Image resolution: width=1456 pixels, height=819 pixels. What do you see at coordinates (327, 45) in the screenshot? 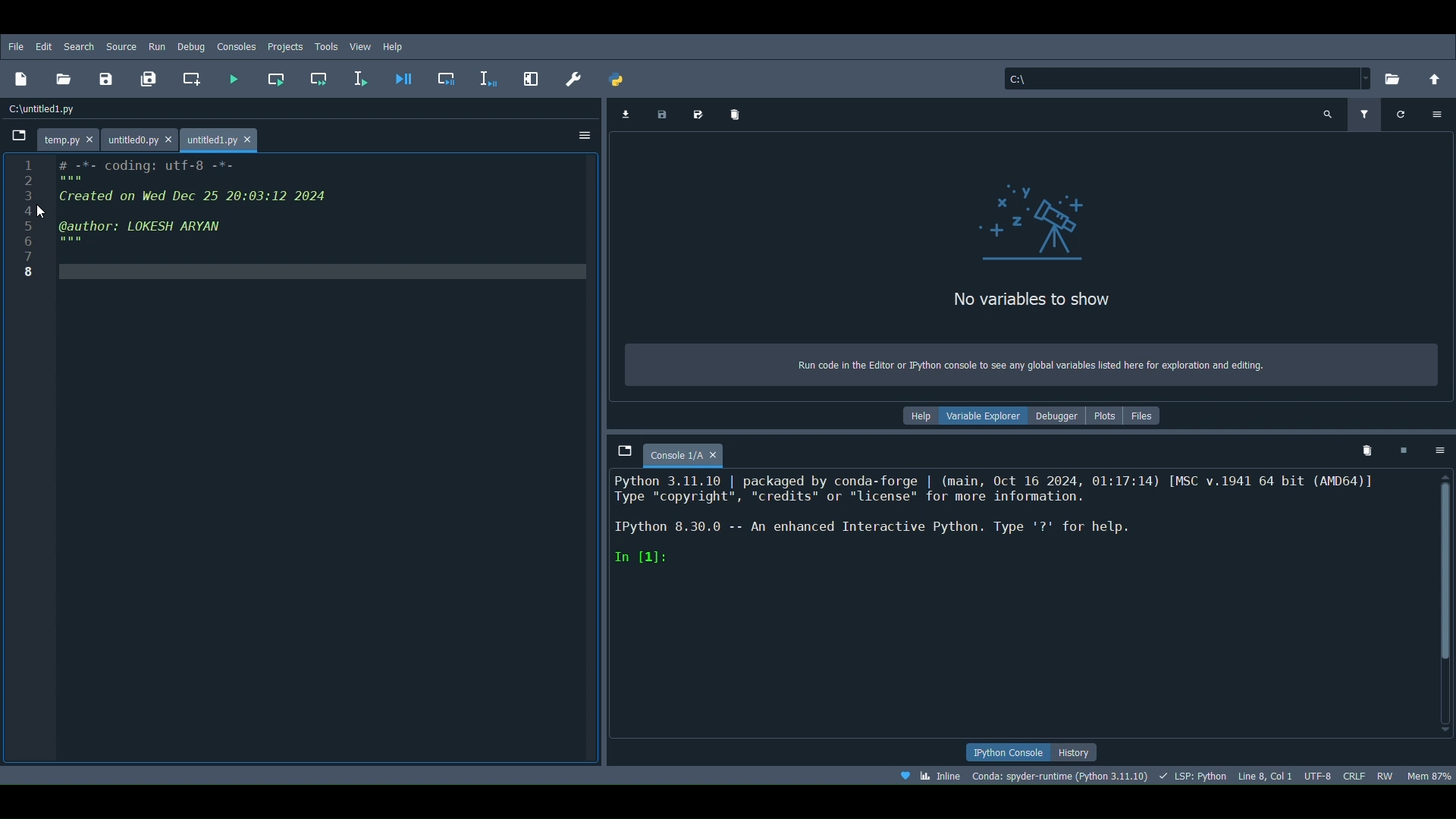
I see `Tools` at bounding box center [327, 45].